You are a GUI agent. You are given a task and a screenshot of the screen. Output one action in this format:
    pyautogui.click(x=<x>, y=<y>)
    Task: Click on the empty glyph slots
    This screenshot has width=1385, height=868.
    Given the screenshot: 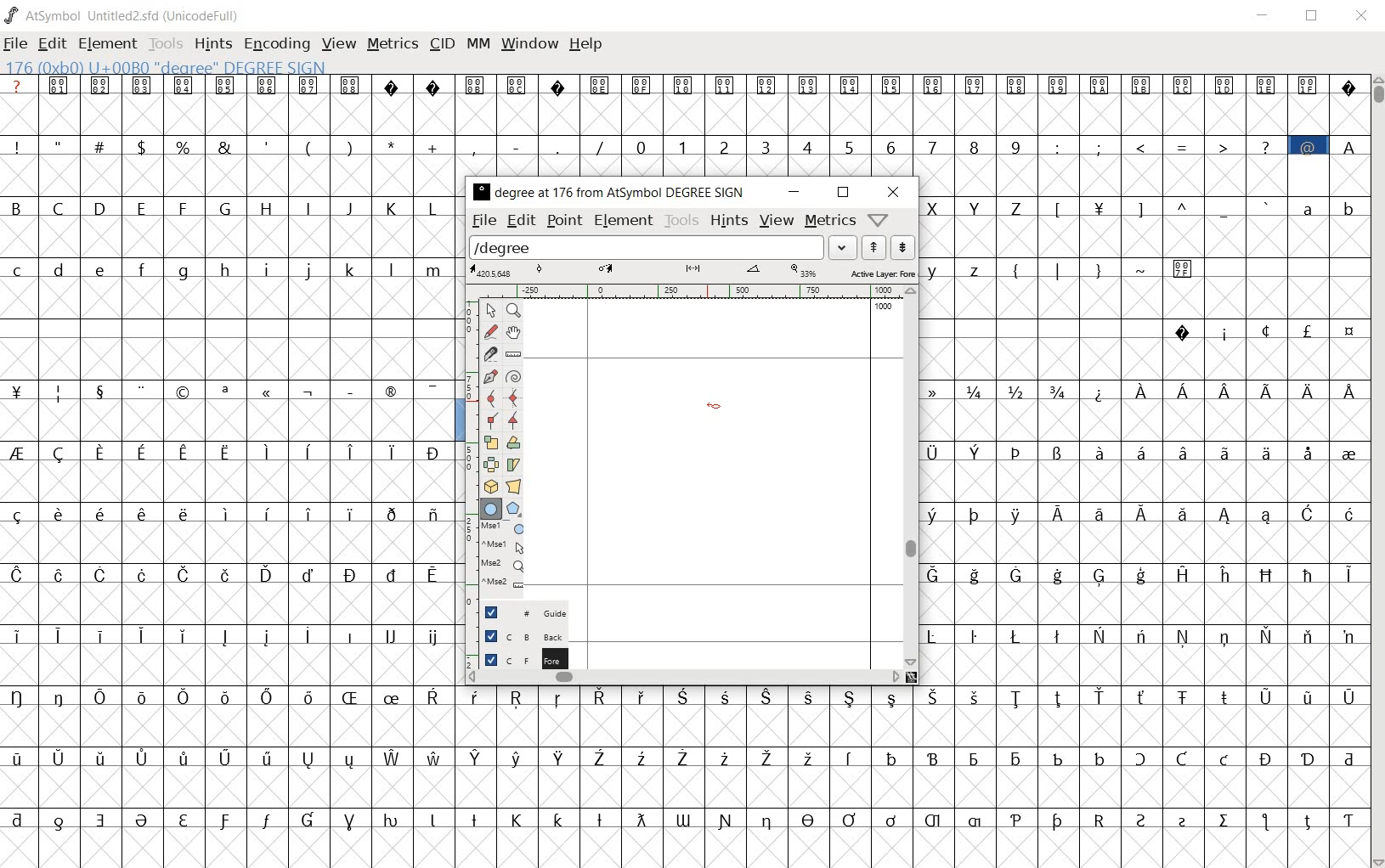 What is the action you would take?
    pyautogui.click(x=232, y=358)
    